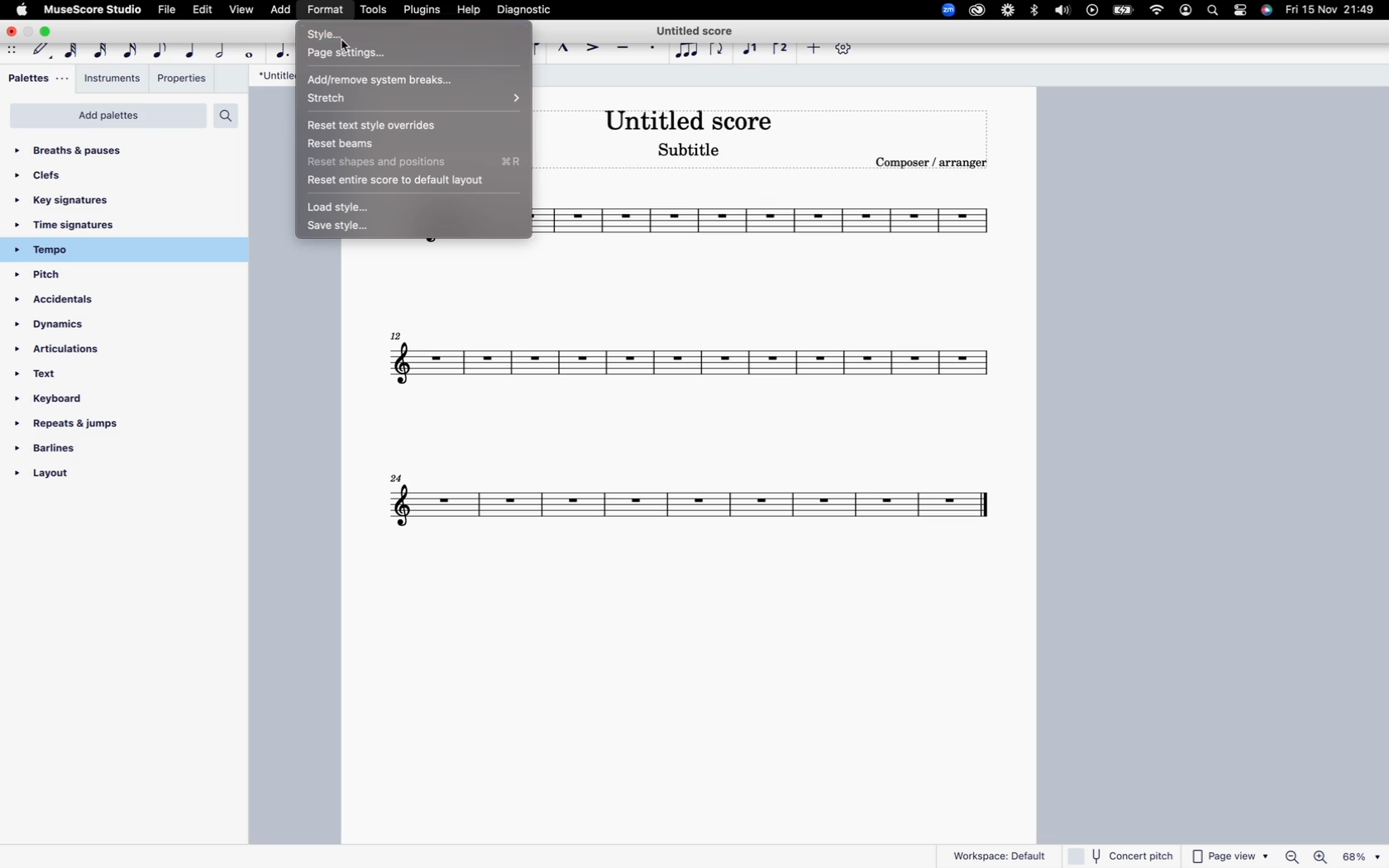 The image size is (1389, 868). What do you see at coordinates (690, 150) in the screenshot?
I see `score subtitle` at bounding box center [690, 150].